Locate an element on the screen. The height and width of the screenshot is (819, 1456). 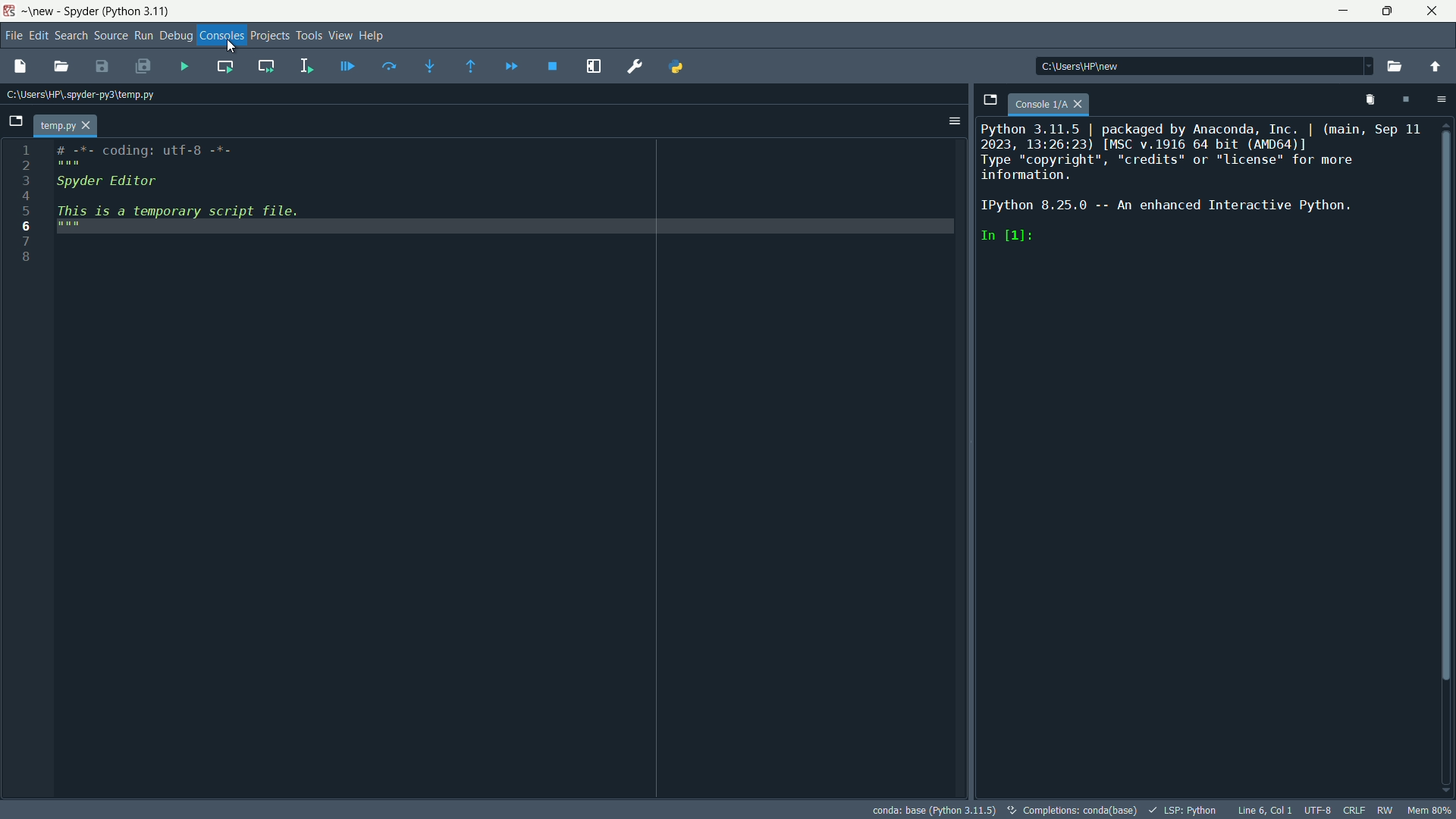
browse tabs is located at coordinates (15, 121).